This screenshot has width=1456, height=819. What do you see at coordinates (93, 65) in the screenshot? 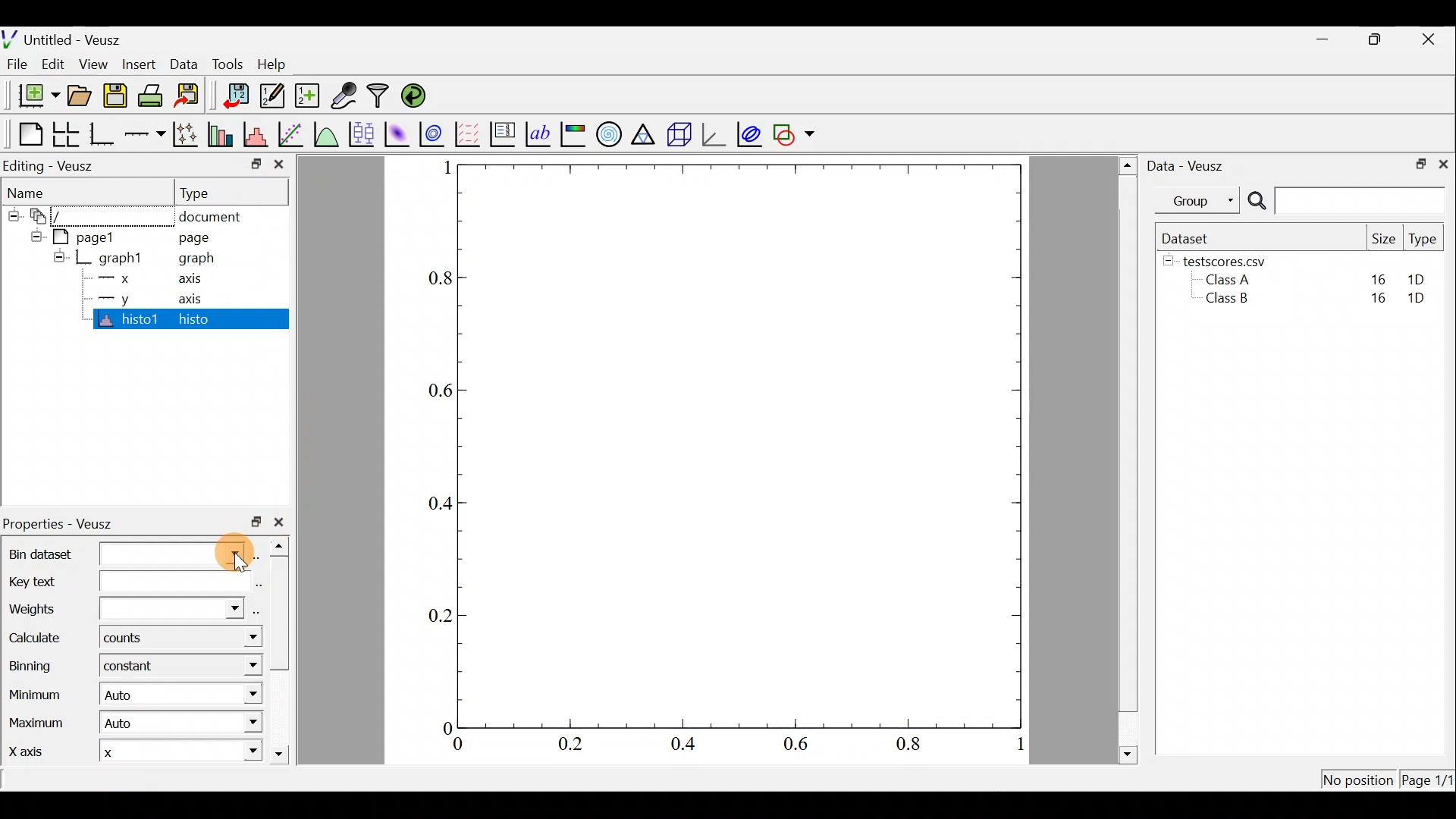
I see `View` at bounding box center [93, 65].